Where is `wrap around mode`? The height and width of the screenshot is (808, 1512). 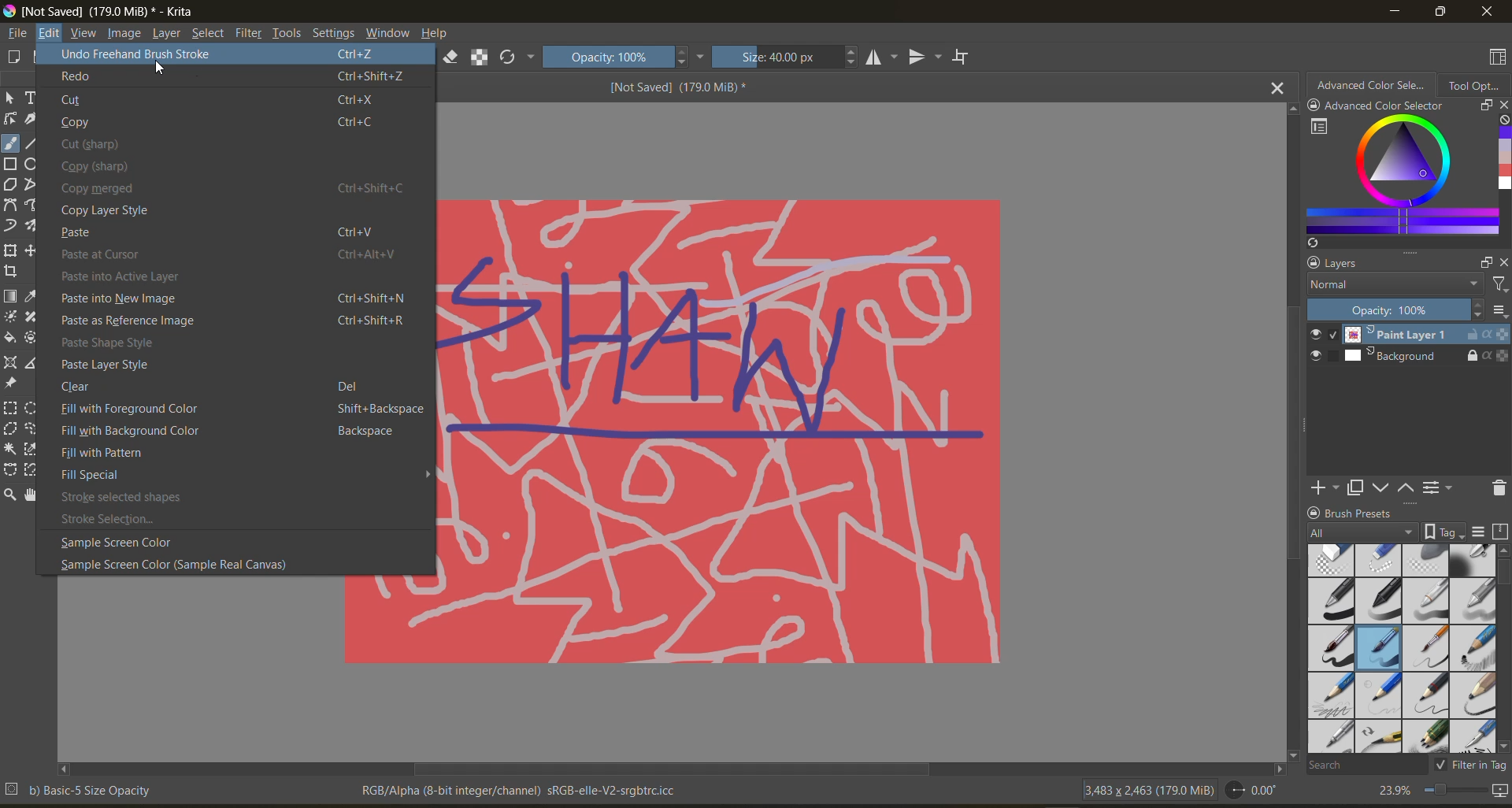 wrap around mode is located at coordinates (963, 56).